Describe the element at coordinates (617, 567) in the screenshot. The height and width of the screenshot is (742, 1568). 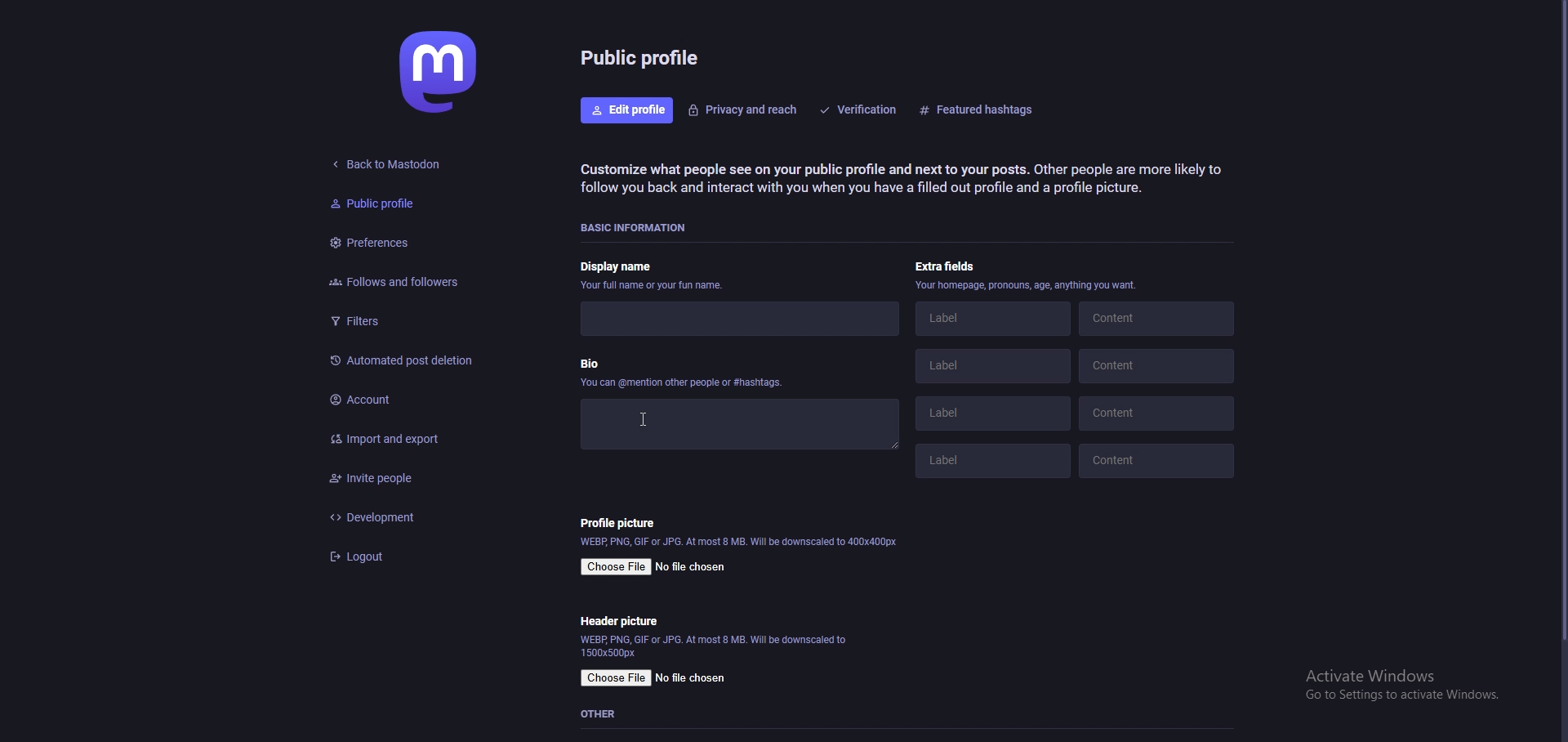
I see `choose file` at that location.